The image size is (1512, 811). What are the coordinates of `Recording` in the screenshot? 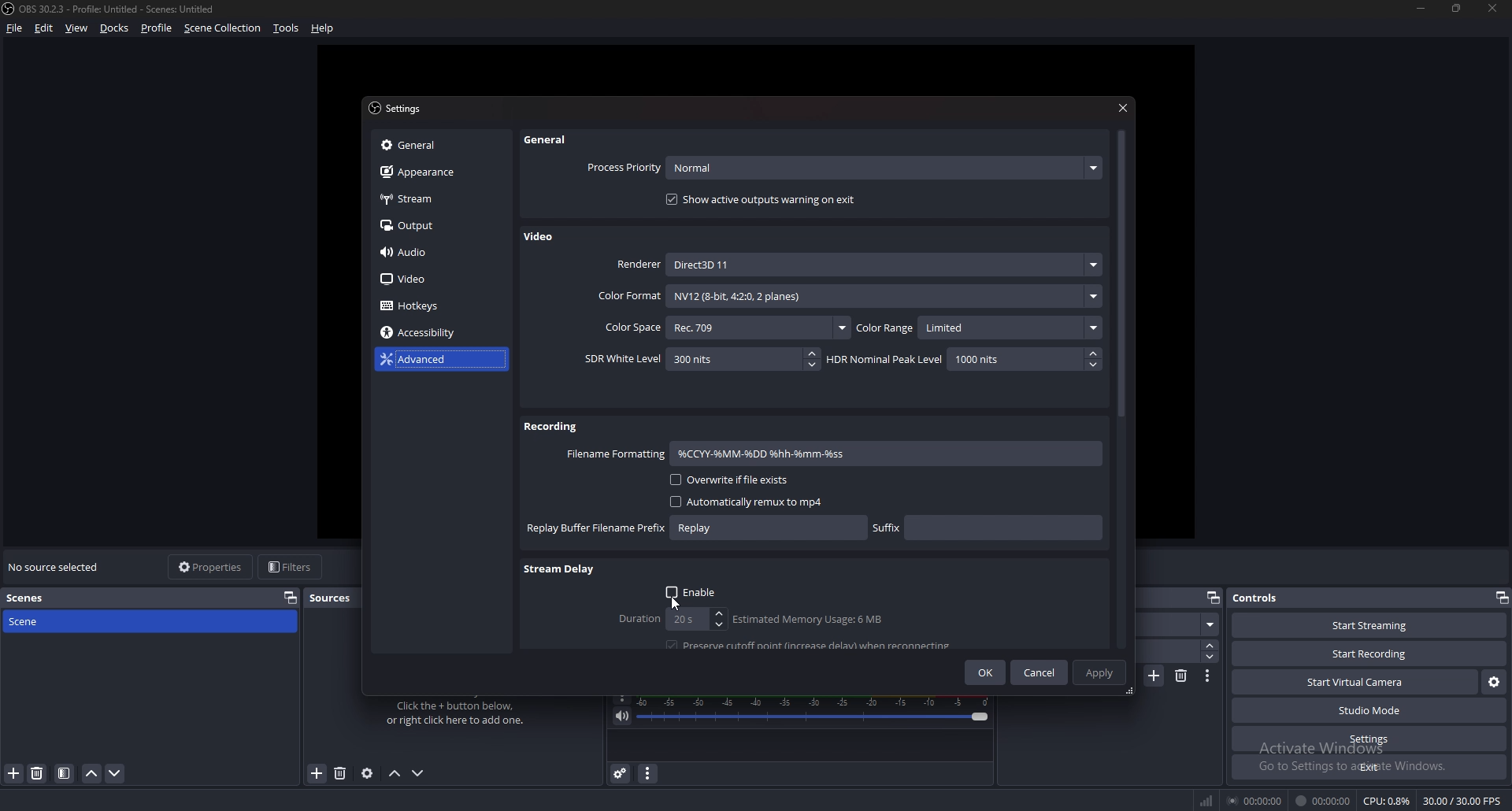 It's located at (553, 426).